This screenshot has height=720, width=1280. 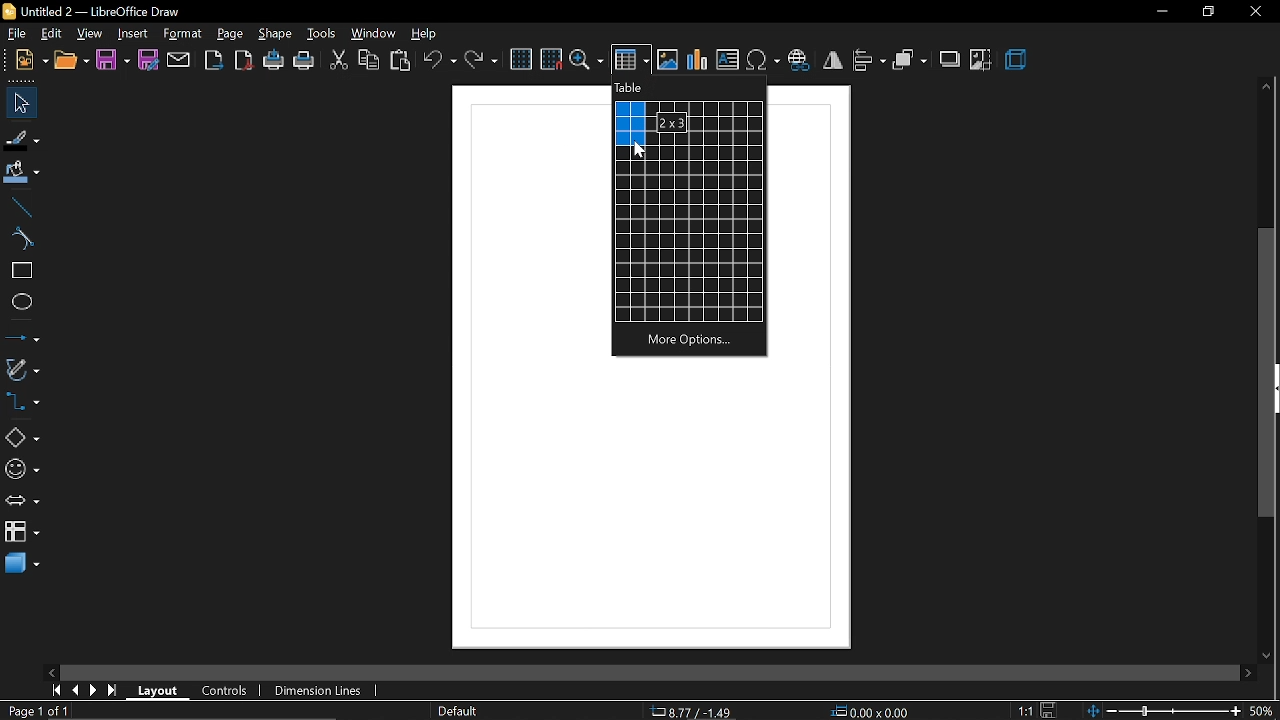 What do you see at coordinates (178, 60) in the screenshot?
I see `attach` at bounding box center [178, 60].